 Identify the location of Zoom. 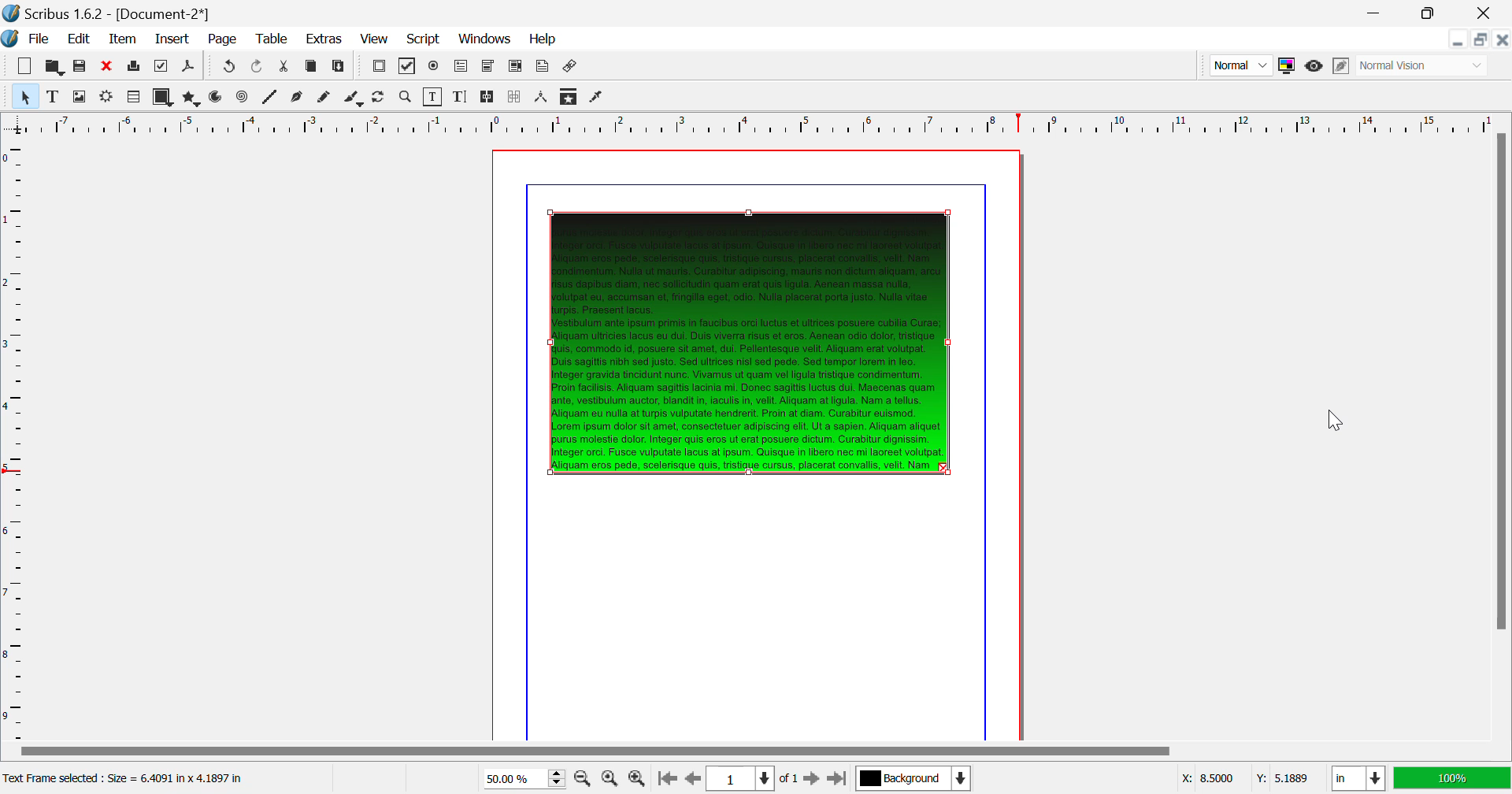
(406, 97).